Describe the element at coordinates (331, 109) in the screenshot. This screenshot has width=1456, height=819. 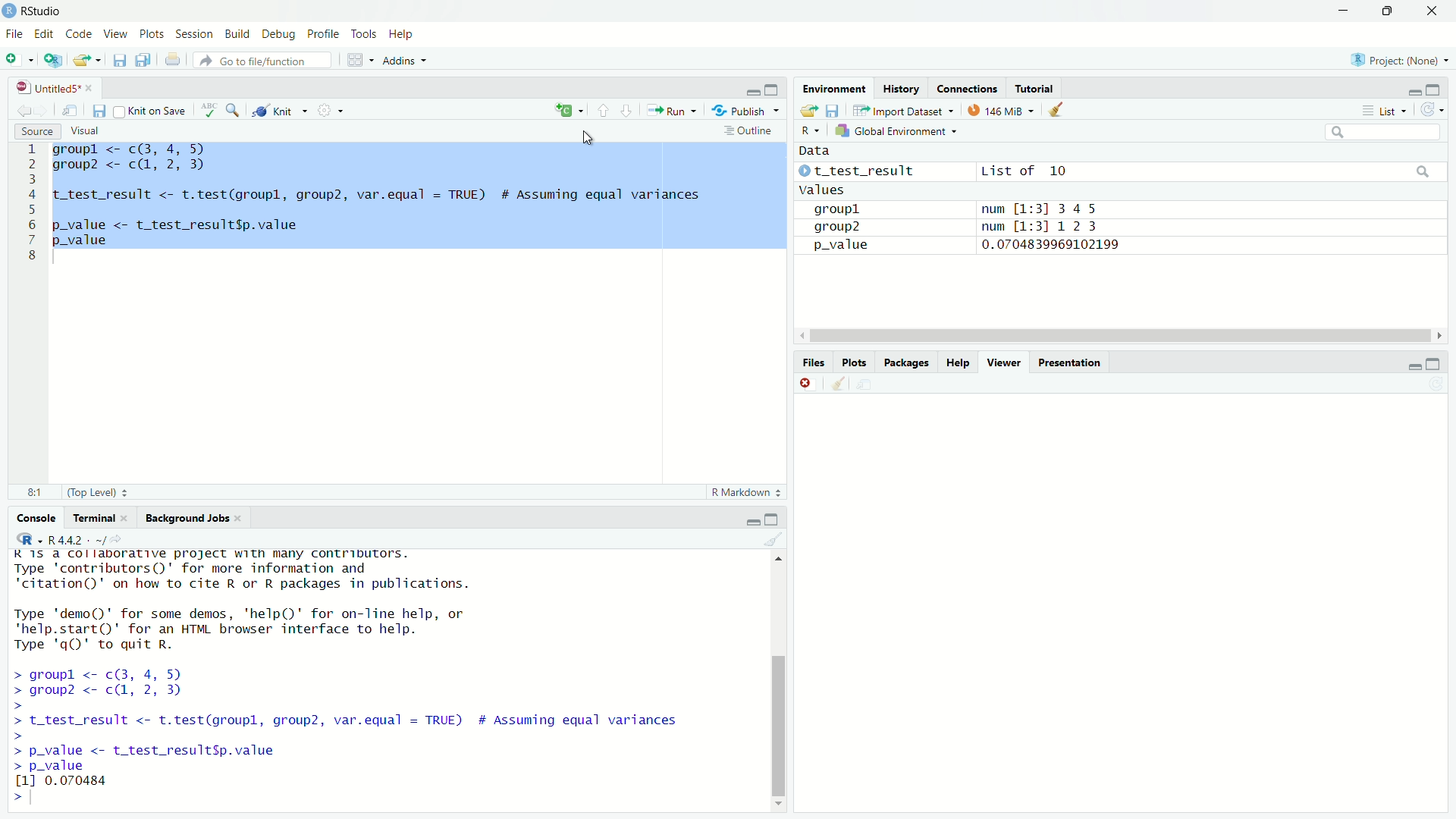
I see `settings` at that location.